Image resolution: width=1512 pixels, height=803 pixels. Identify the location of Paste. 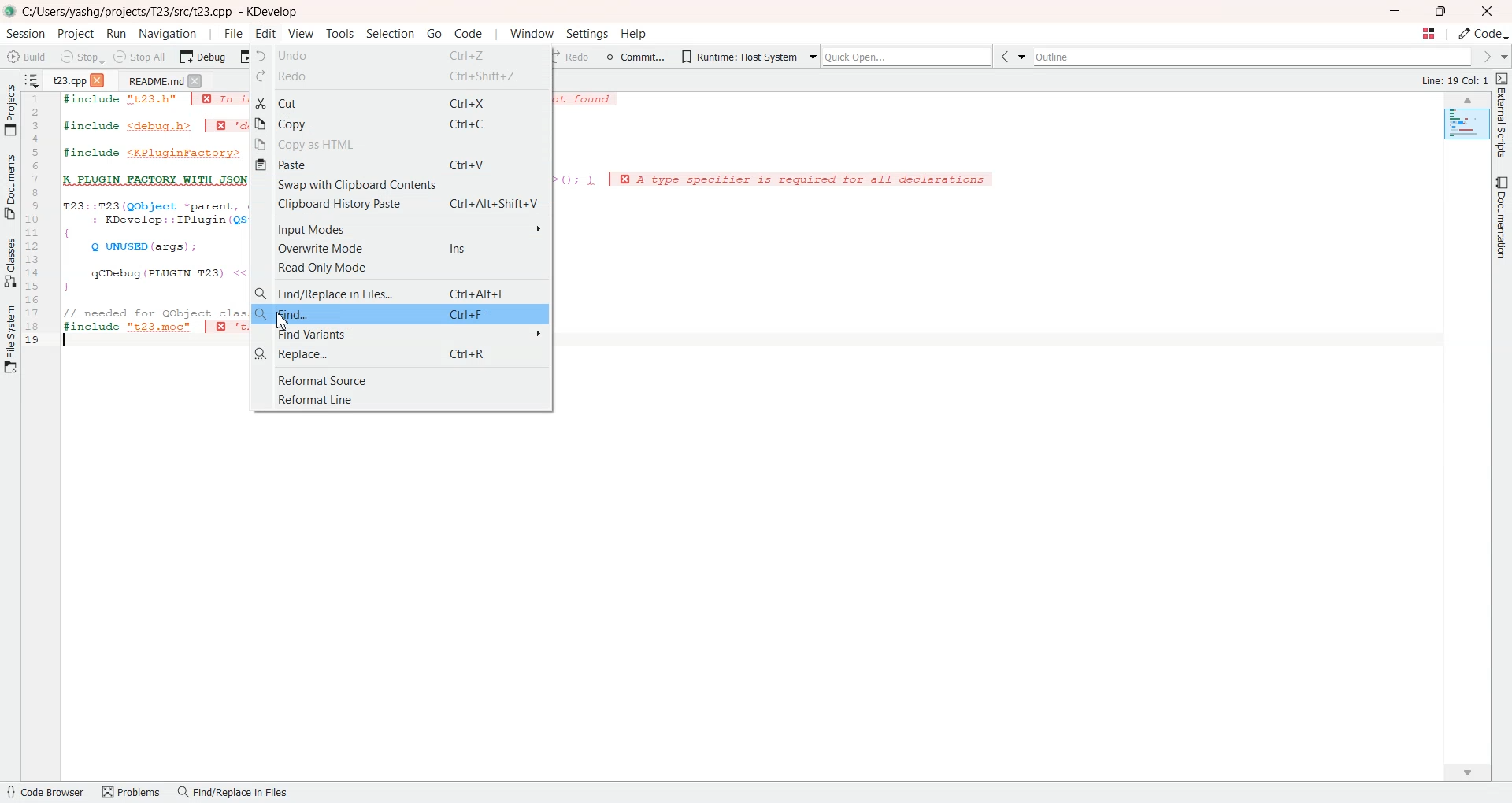
(402, 166).